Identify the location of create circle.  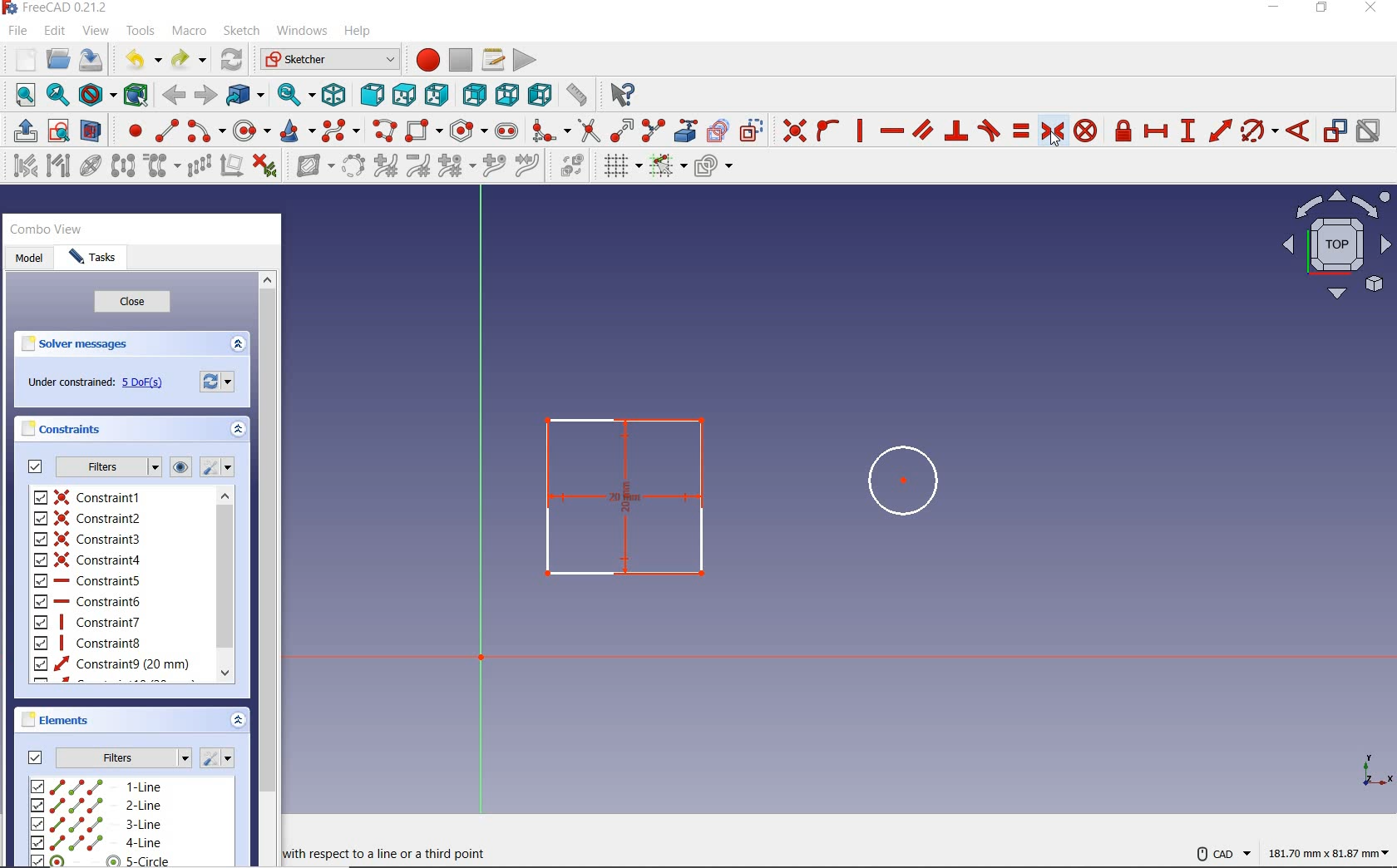
(253, 130).